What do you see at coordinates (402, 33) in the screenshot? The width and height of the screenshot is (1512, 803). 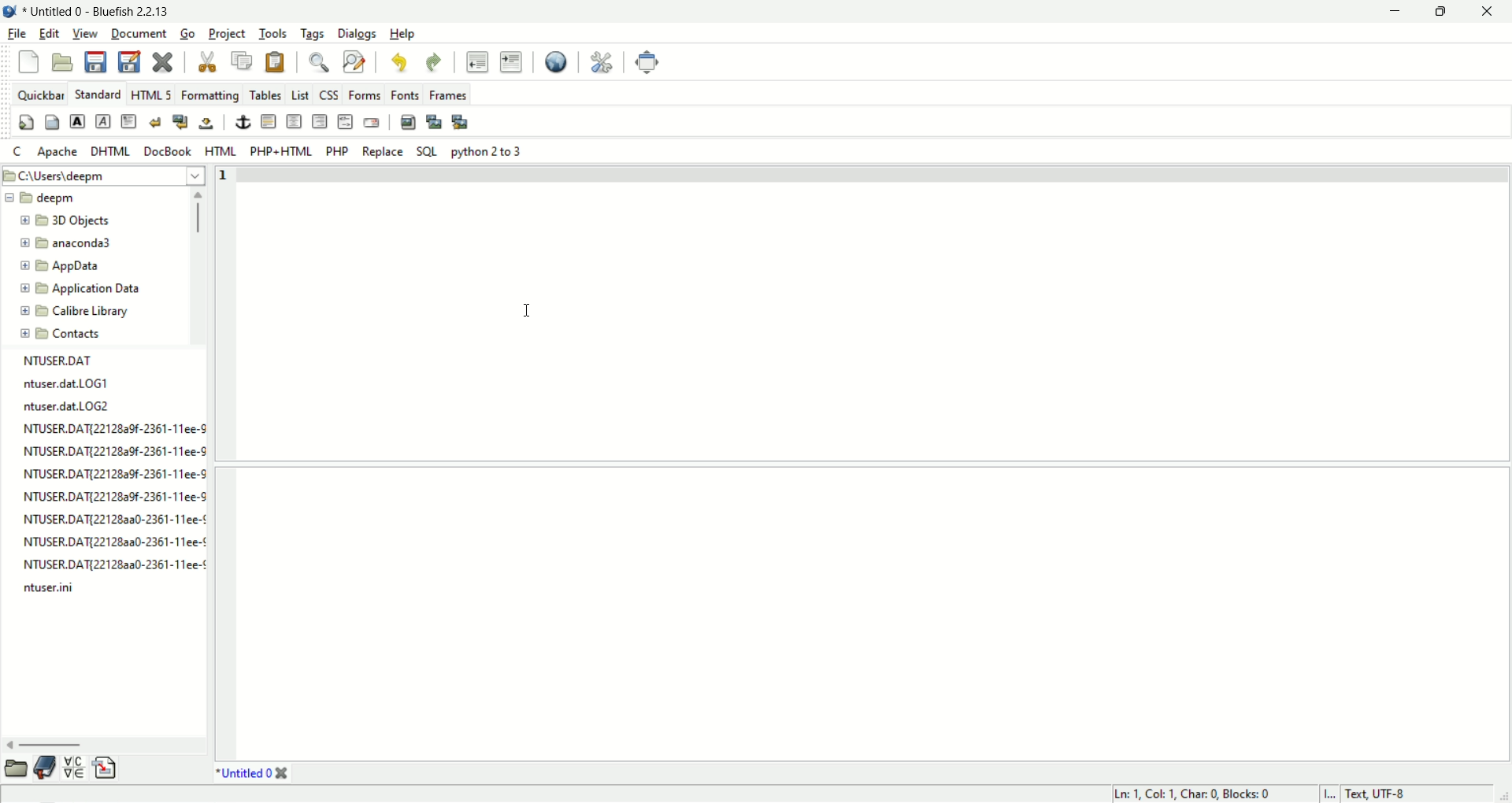 I see `help` at bounding box center [402, 33].